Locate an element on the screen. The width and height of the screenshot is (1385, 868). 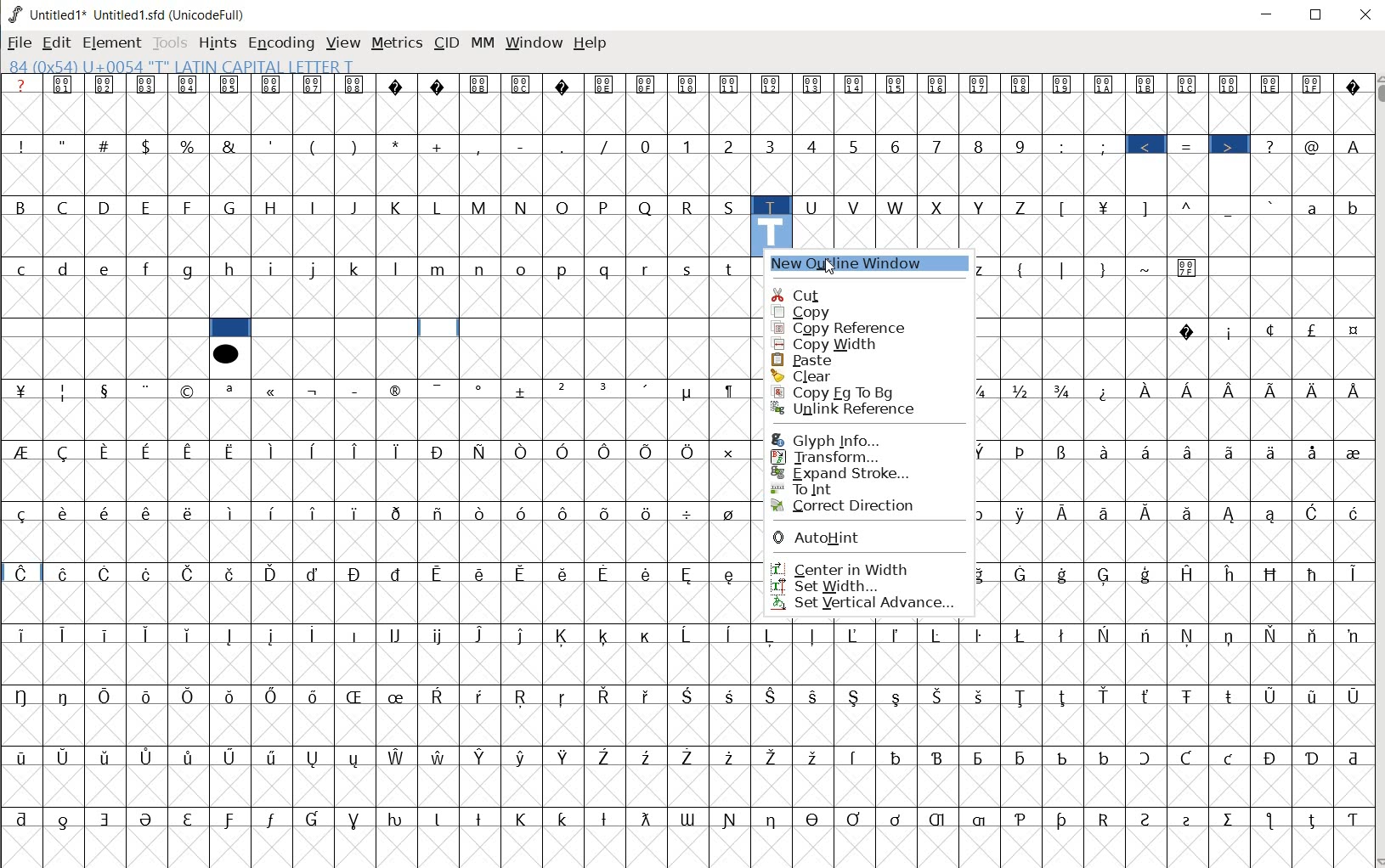
G is located at coordinates (230, 208).